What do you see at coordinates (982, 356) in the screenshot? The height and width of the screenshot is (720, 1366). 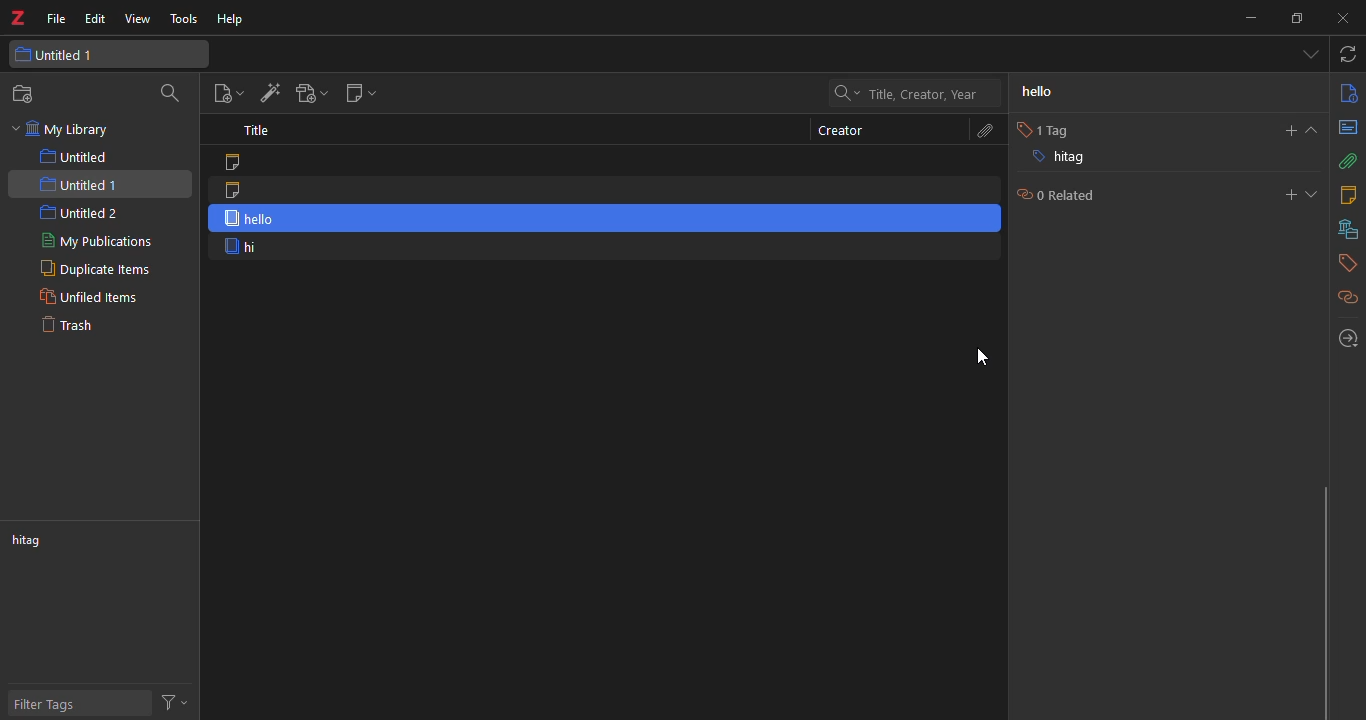 I see `cursor` at bounding box center [982, 356].